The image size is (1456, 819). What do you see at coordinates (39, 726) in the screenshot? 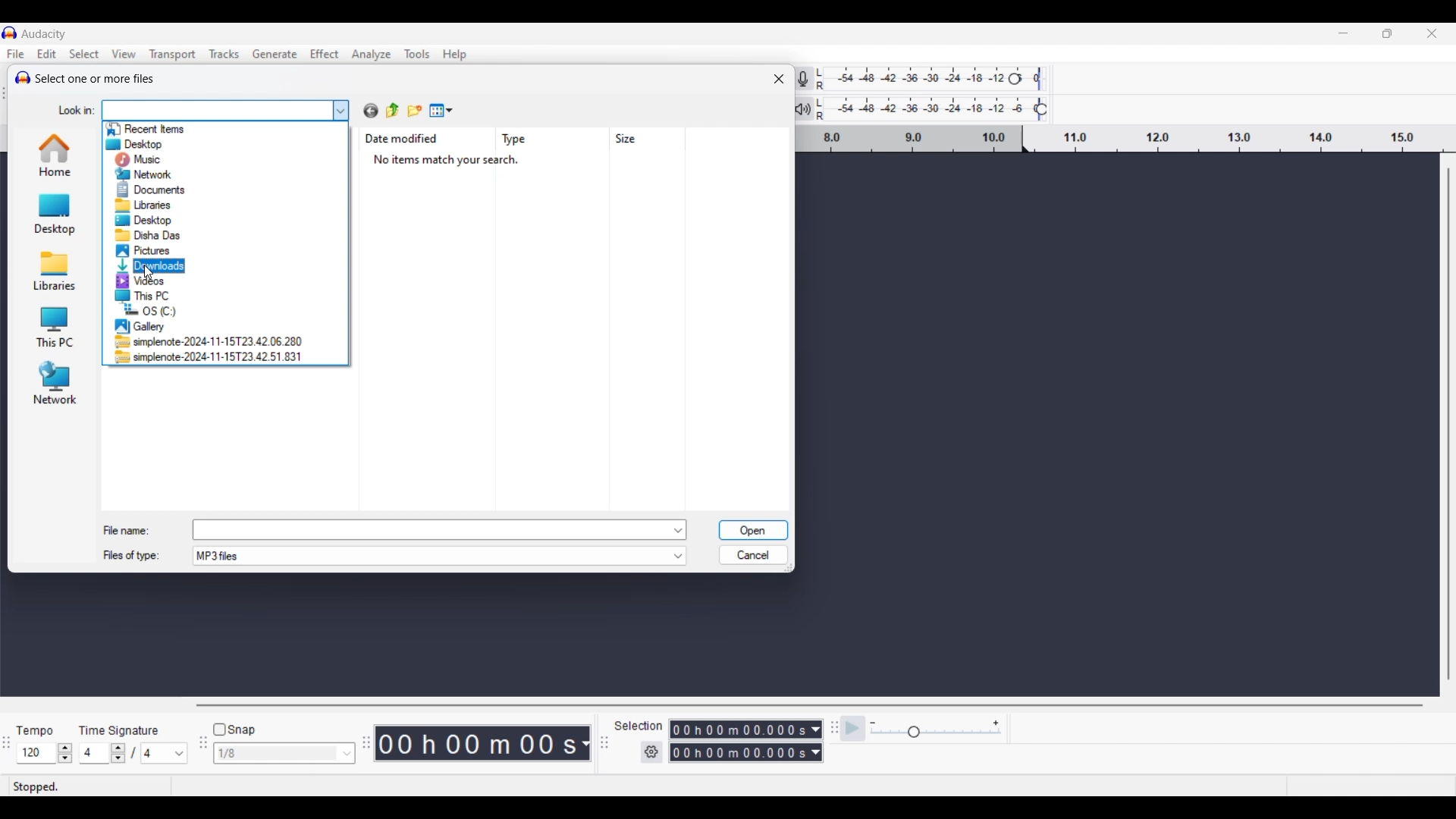
I see `Tempo` at bounding box center [39, 726].